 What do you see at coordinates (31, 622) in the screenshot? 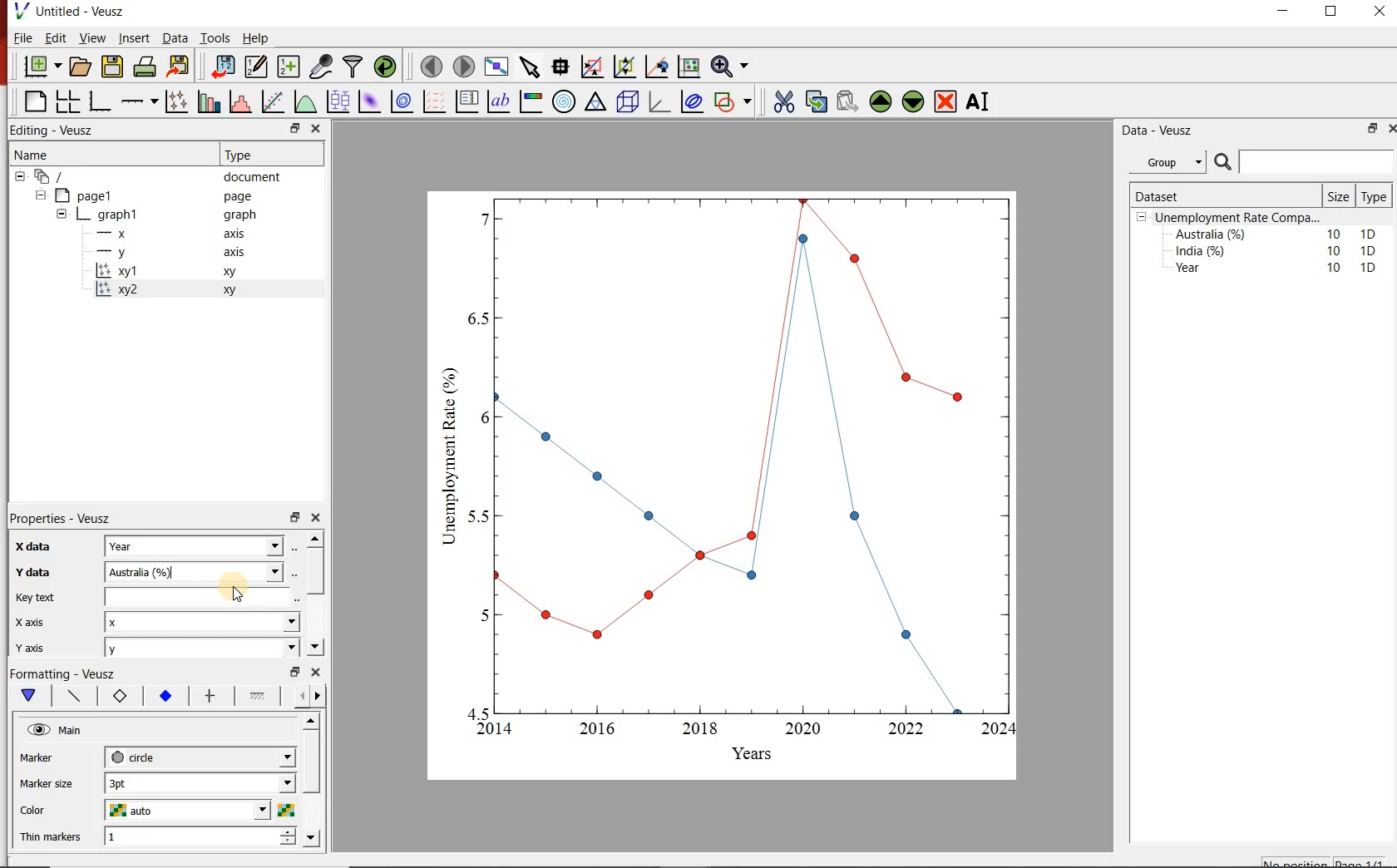
I see `x axis` at bounding box center [31, 622].